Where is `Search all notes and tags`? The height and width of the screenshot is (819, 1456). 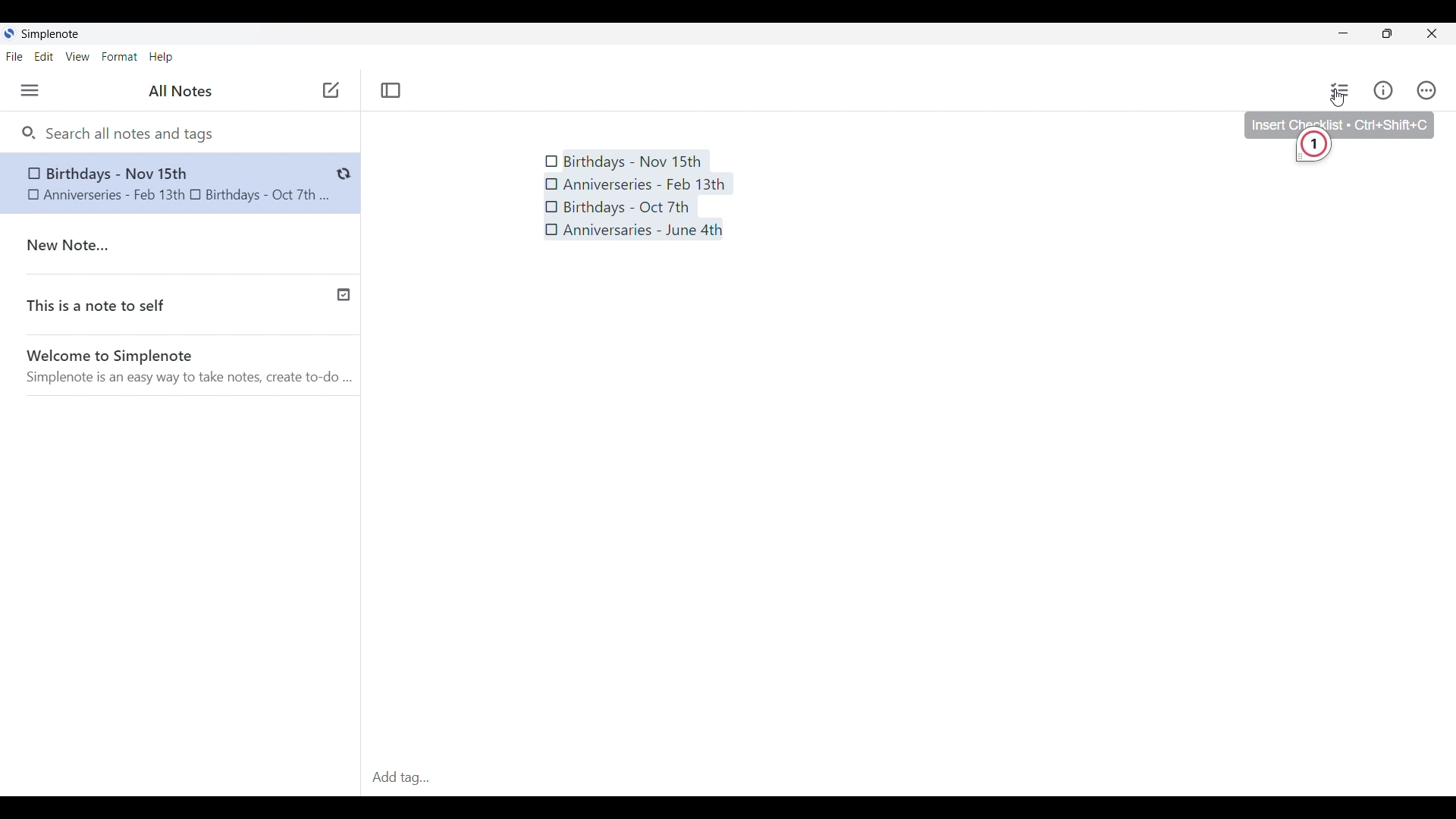 Search all notes and tags is located at coordinates (134, 133).